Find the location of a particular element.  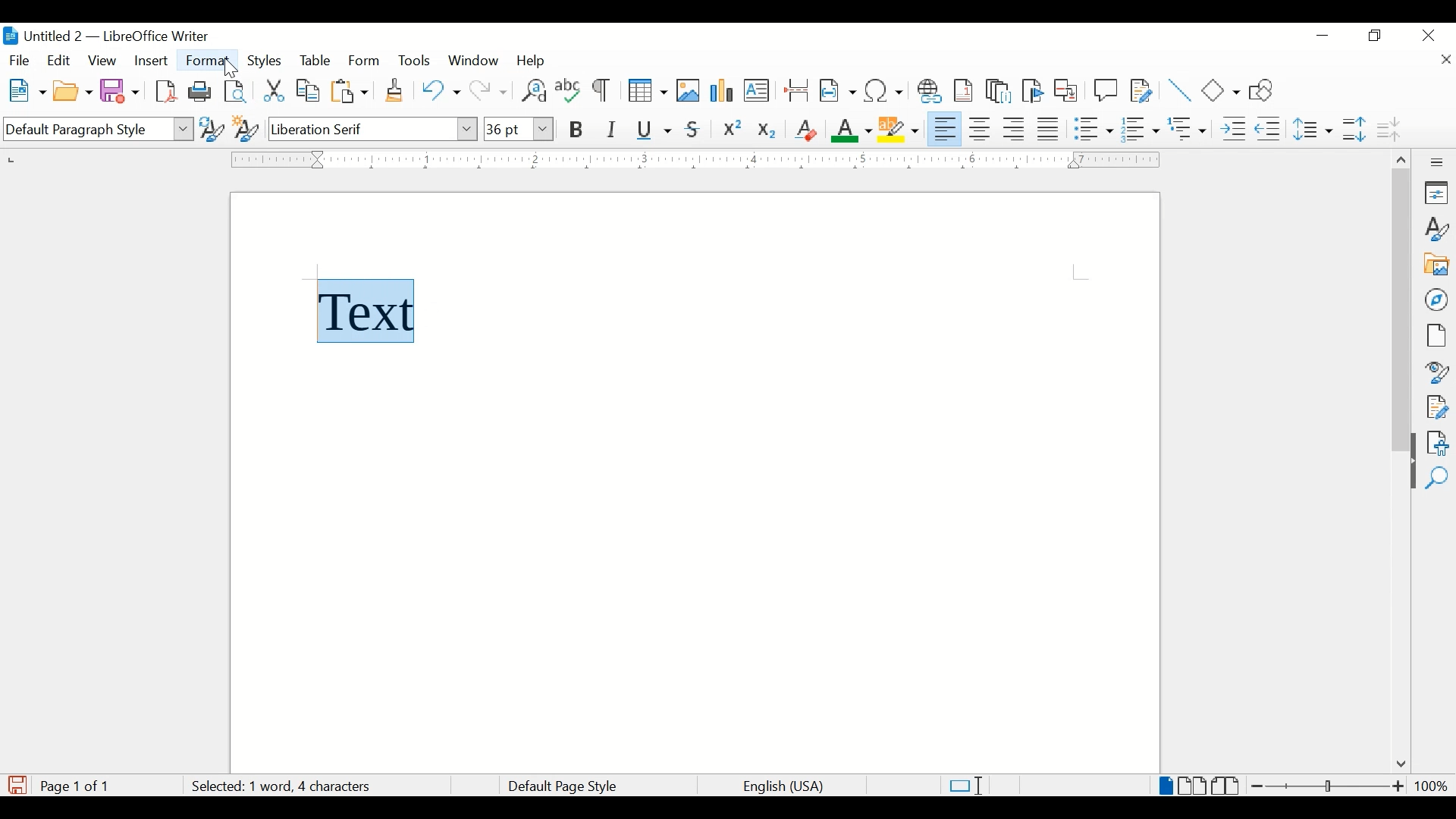

styles is located at coordinates (266, 61).